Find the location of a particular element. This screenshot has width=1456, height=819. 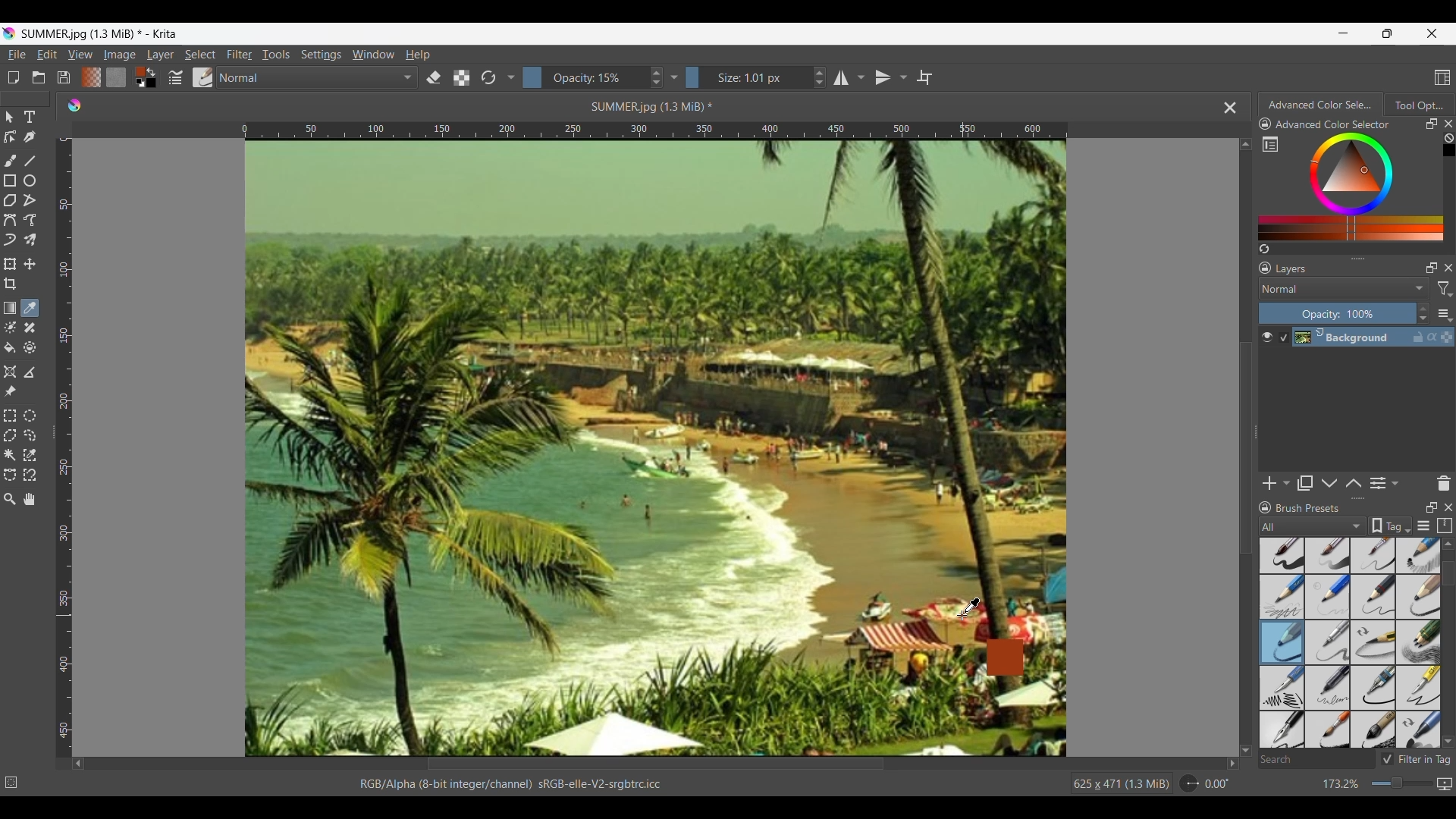

Set foreground and background colors to black and white respectively is located at coordinates (137, 84).